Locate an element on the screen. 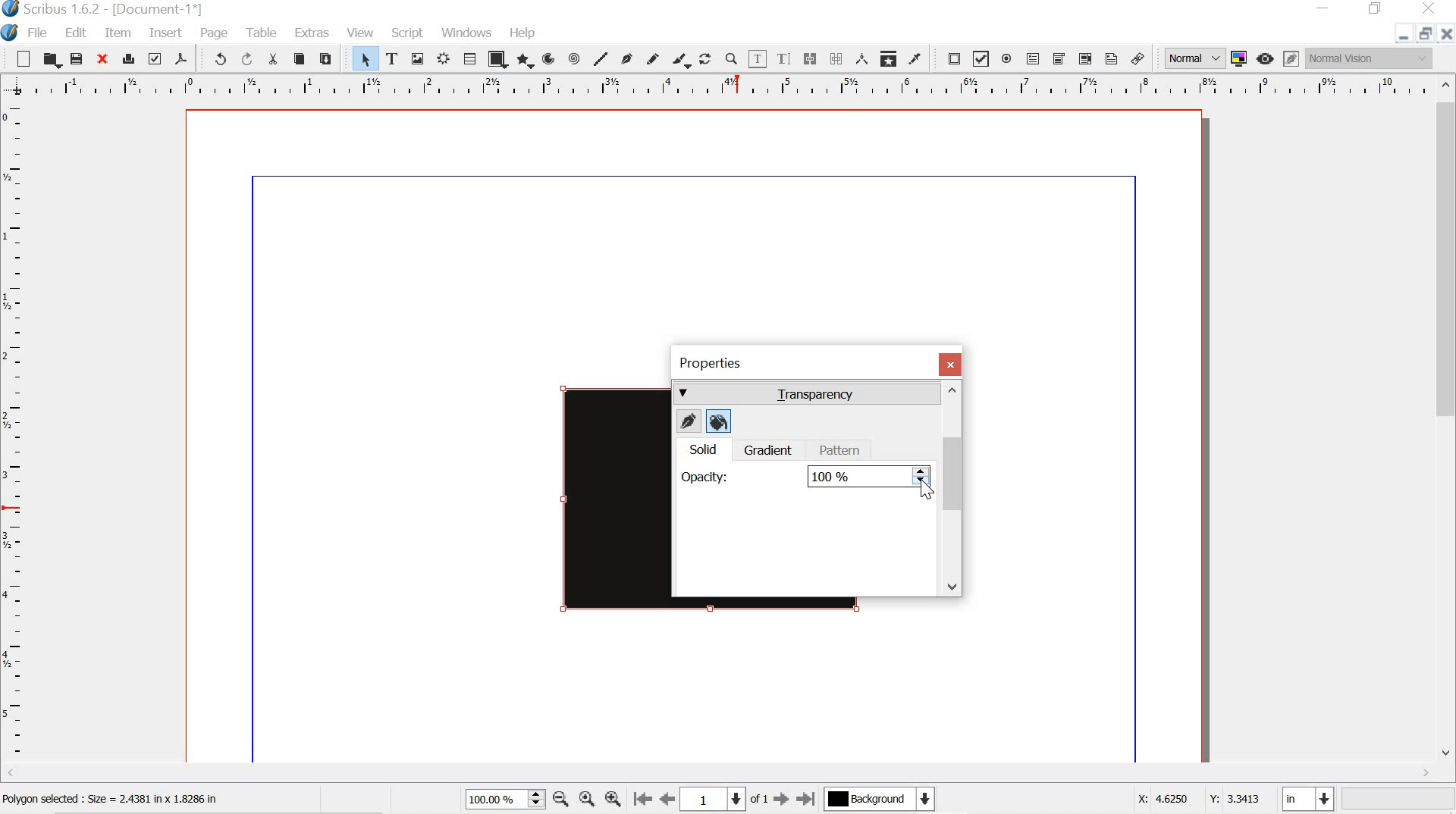 This screenshot has width=1456, height=814. undo is located at coordinates (219, 58).